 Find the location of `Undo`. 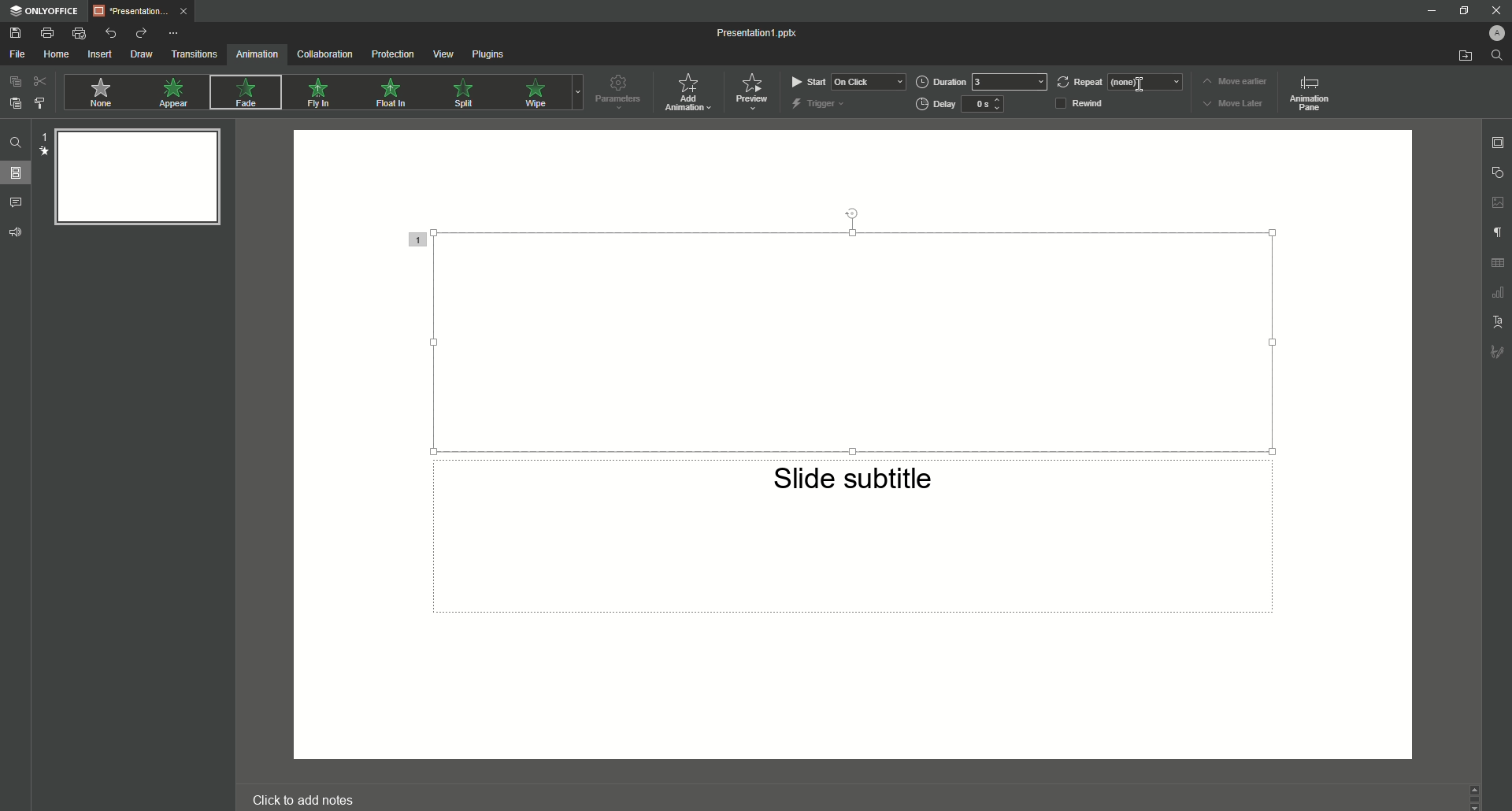

Undo is located at coordinates (109, 32).